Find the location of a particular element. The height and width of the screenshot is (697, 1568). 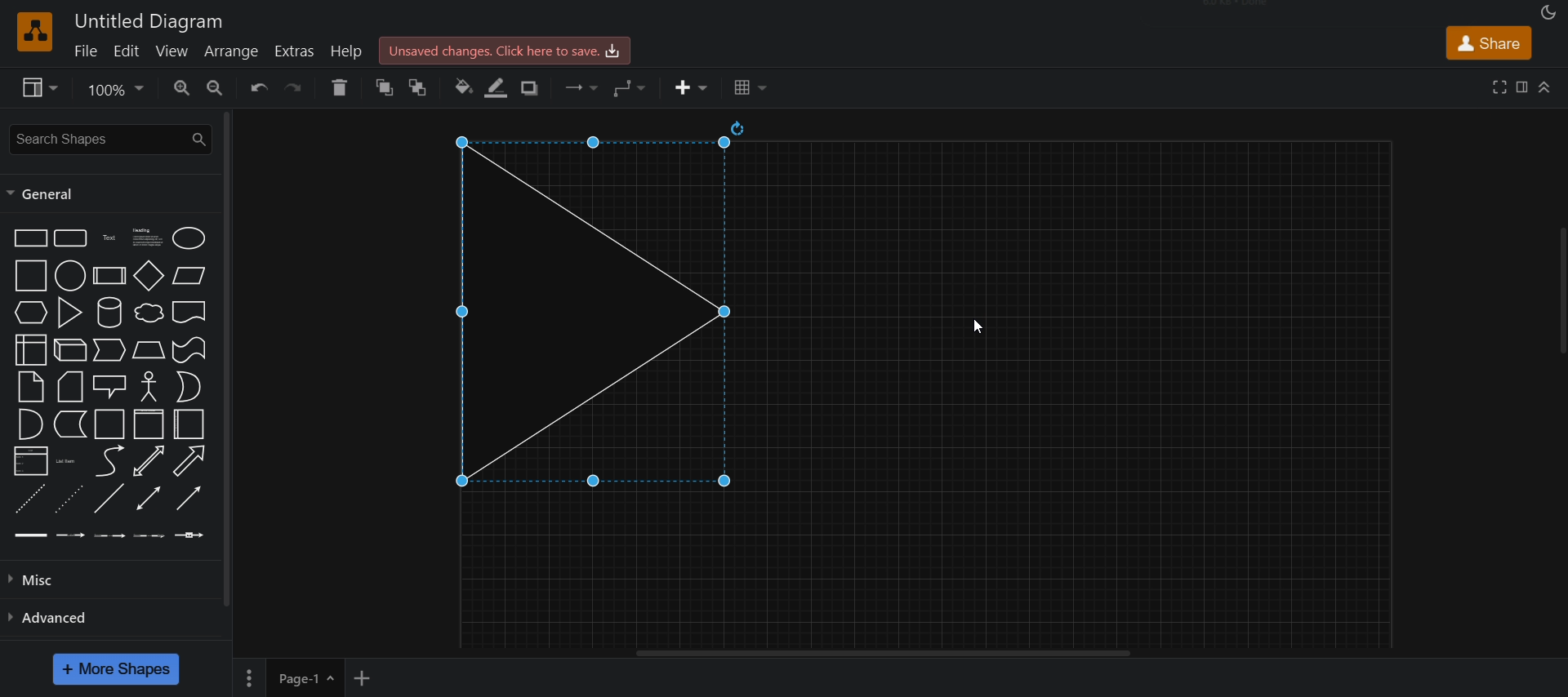

save is located at coordinates (510, 51).